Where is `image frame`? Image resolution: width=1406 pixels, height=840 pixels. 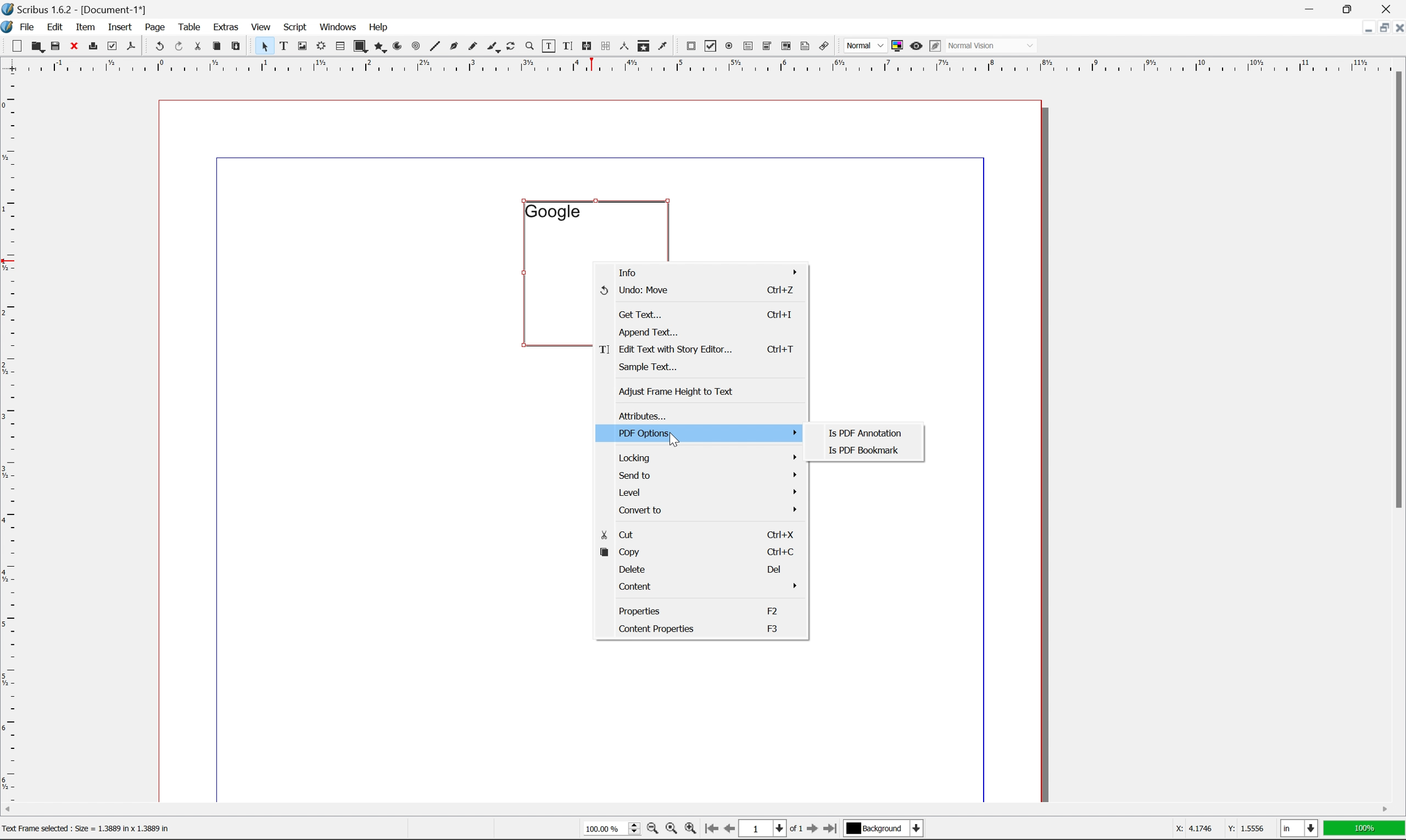
image frame is located at coordinates (302, 47).